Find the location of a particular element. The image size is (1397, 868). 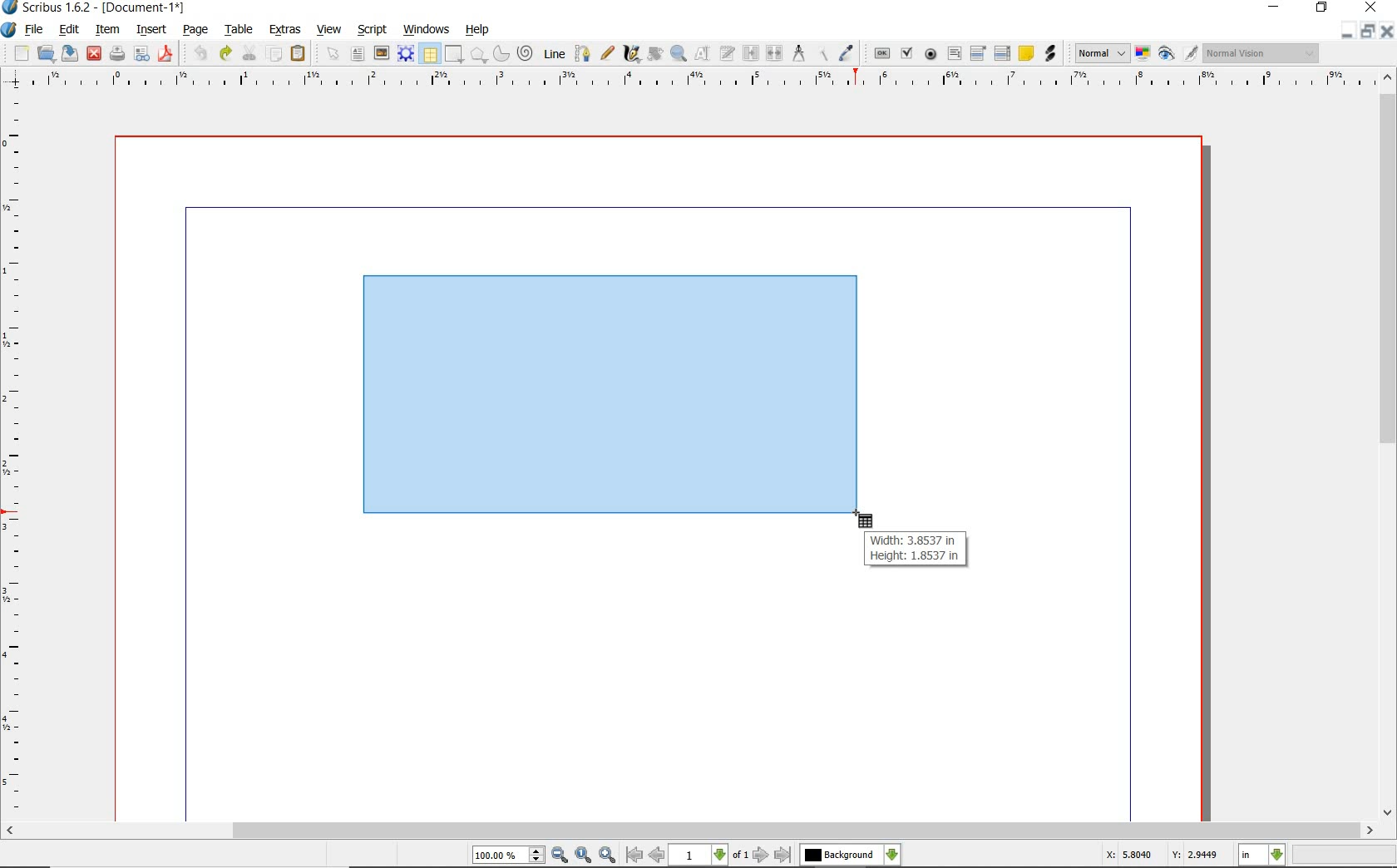

preflight verifier is located at coordinates (141, 55).